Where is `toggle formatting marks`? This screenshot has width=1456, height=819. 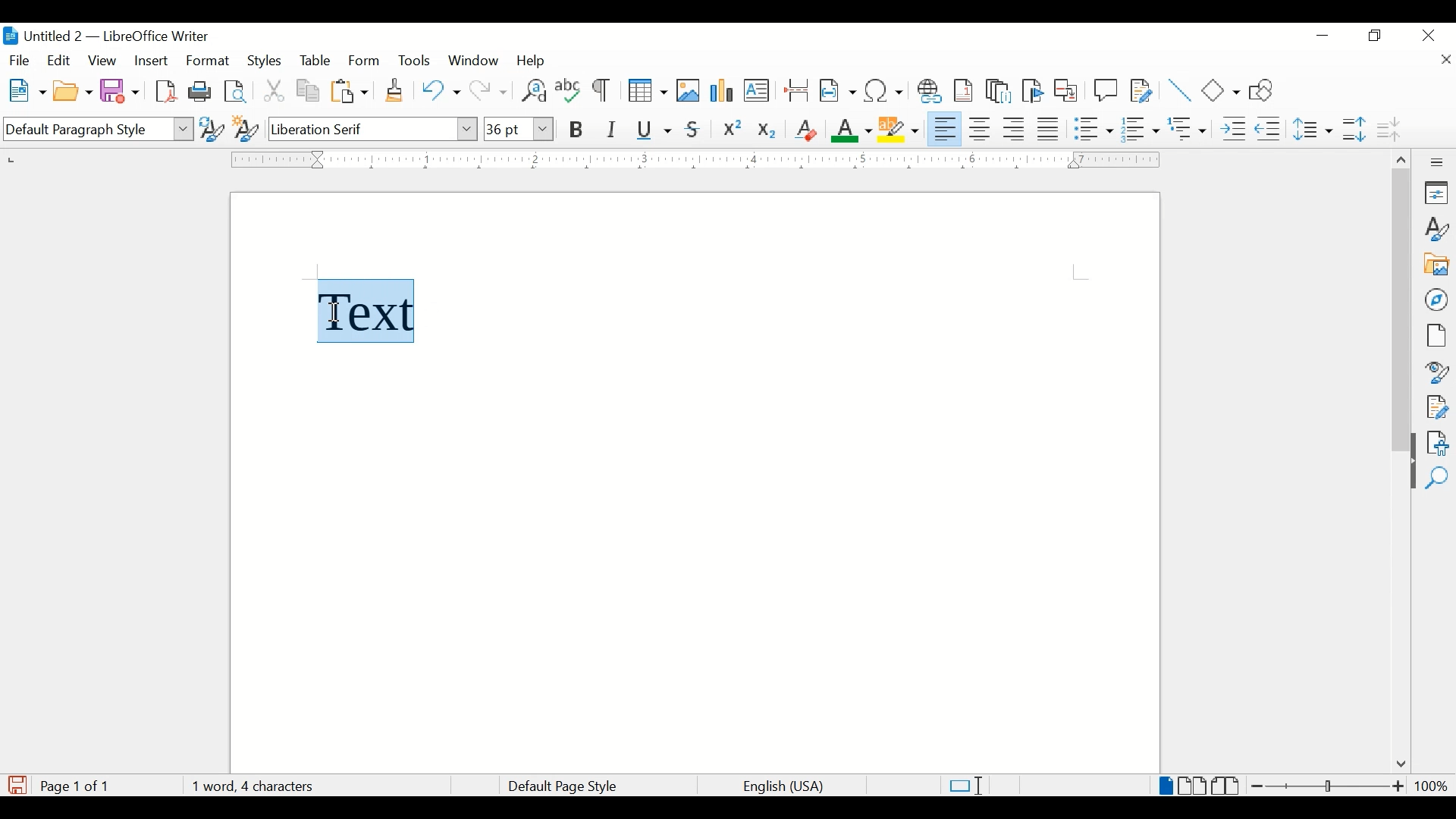 toggle formatting marks is located at coordinates (603, 92).